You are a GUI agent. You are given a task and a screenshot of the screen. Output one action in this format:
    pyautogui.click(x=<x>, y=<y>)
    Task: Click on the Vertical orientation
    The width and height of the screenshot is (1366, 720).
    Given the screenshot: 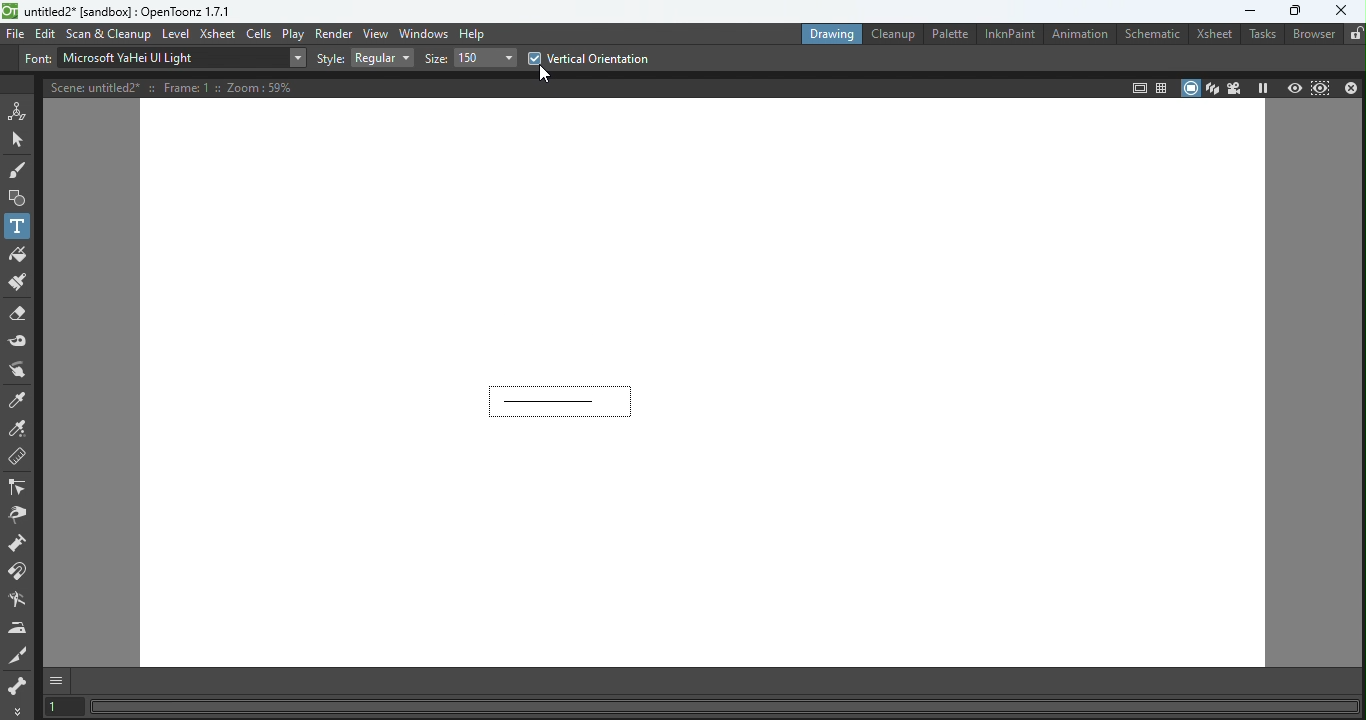 What is the action you would take?
    pyautogui.click(x=587, y=58)
    